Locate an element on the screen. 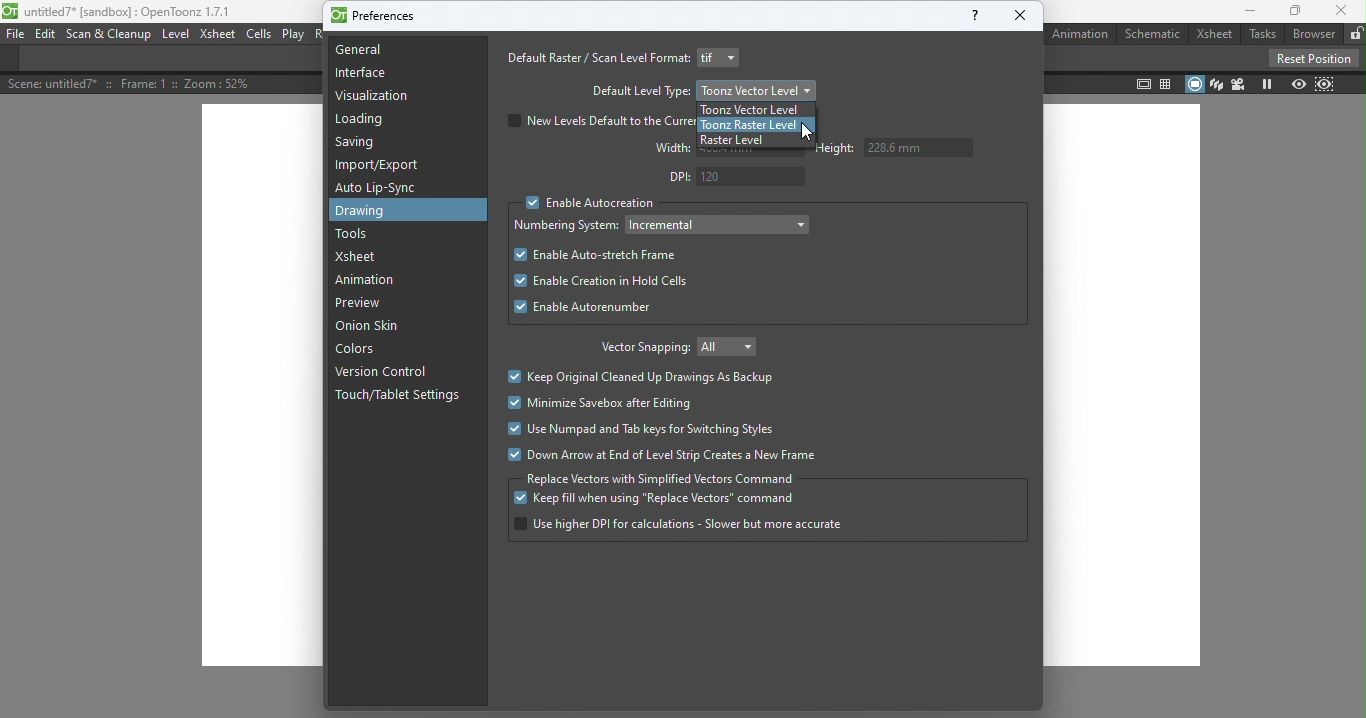 Image resolution: width=1366 pixels, height=718 pixels. Raster level is located at coordinates (743, 141).